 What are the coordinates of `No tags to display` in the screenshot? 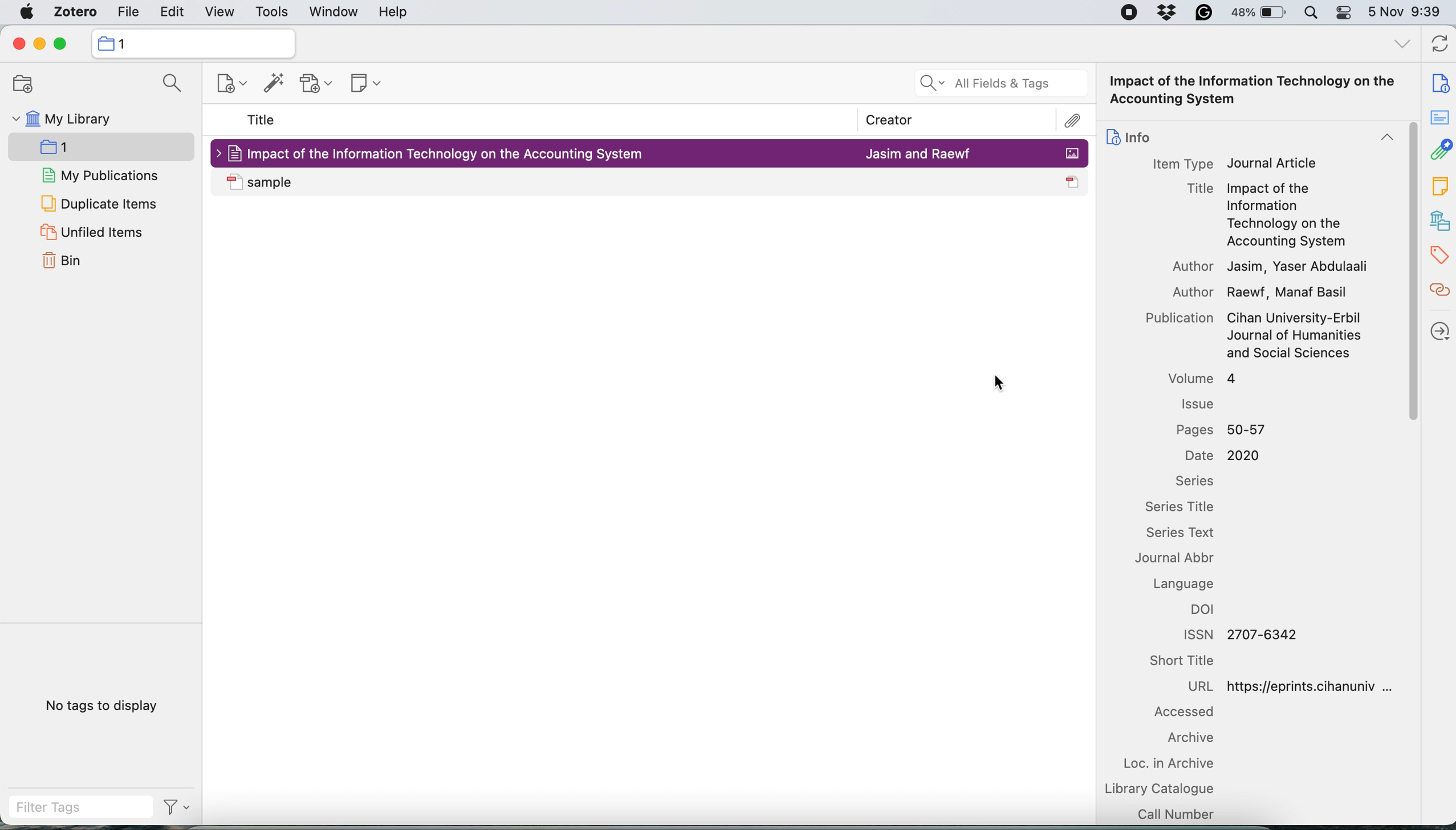 It's located at (103, 706).